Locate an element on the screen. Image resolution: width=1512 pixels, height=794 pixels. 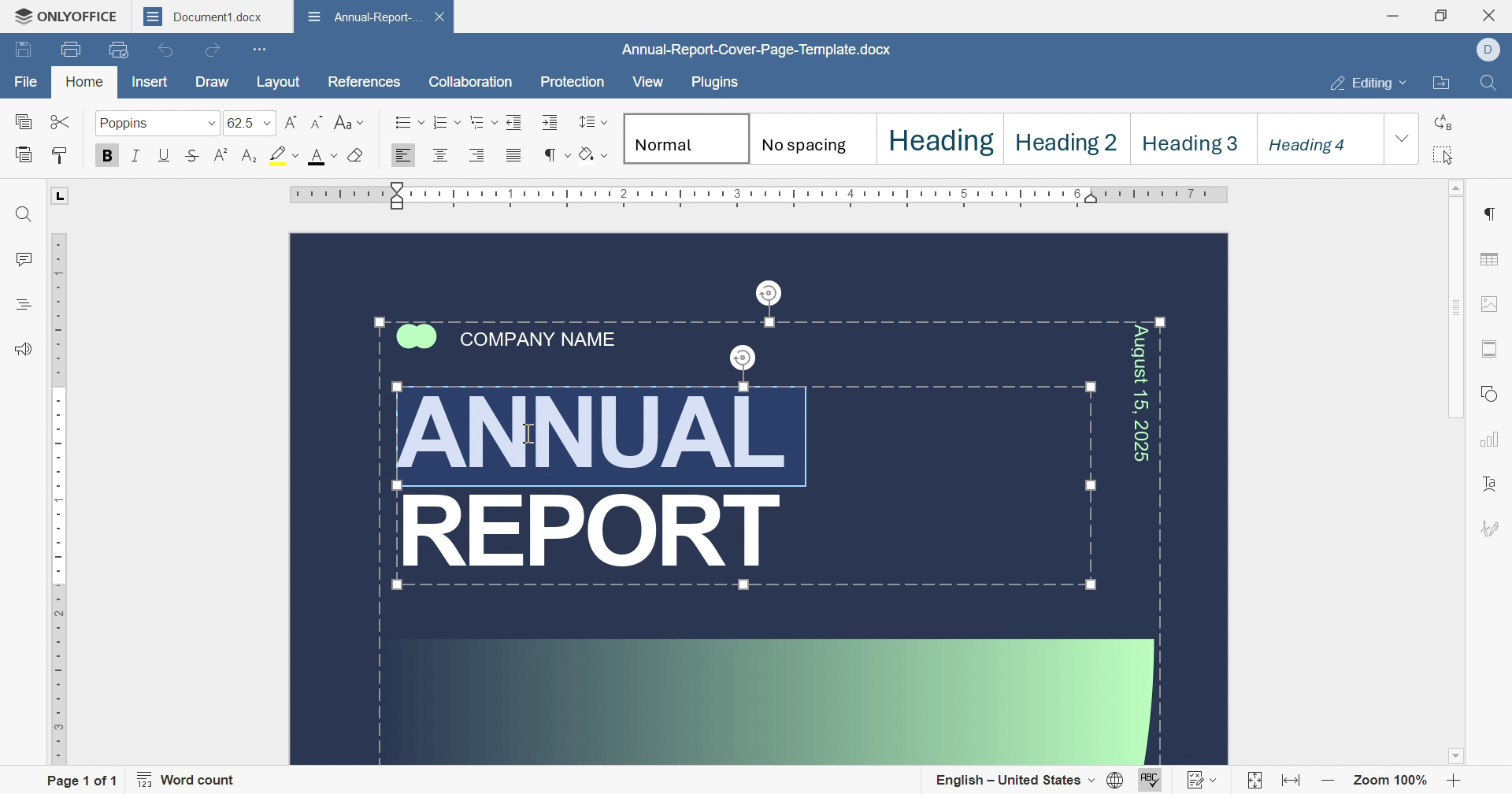
feedback and support is located at coordinates (28, 350).